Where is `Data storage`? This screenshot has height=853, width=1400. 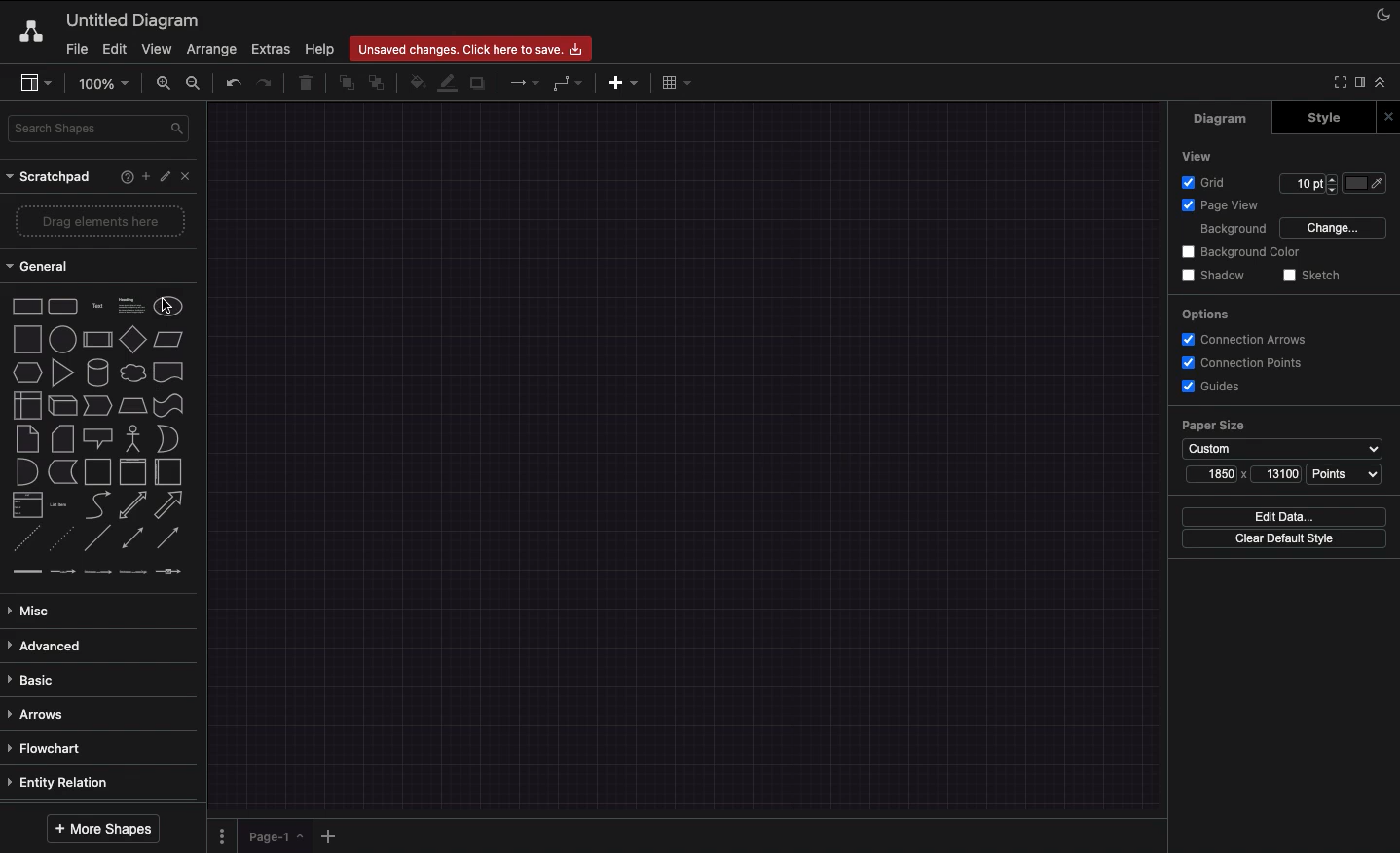 Data storage is located at coordinates (62, 473).